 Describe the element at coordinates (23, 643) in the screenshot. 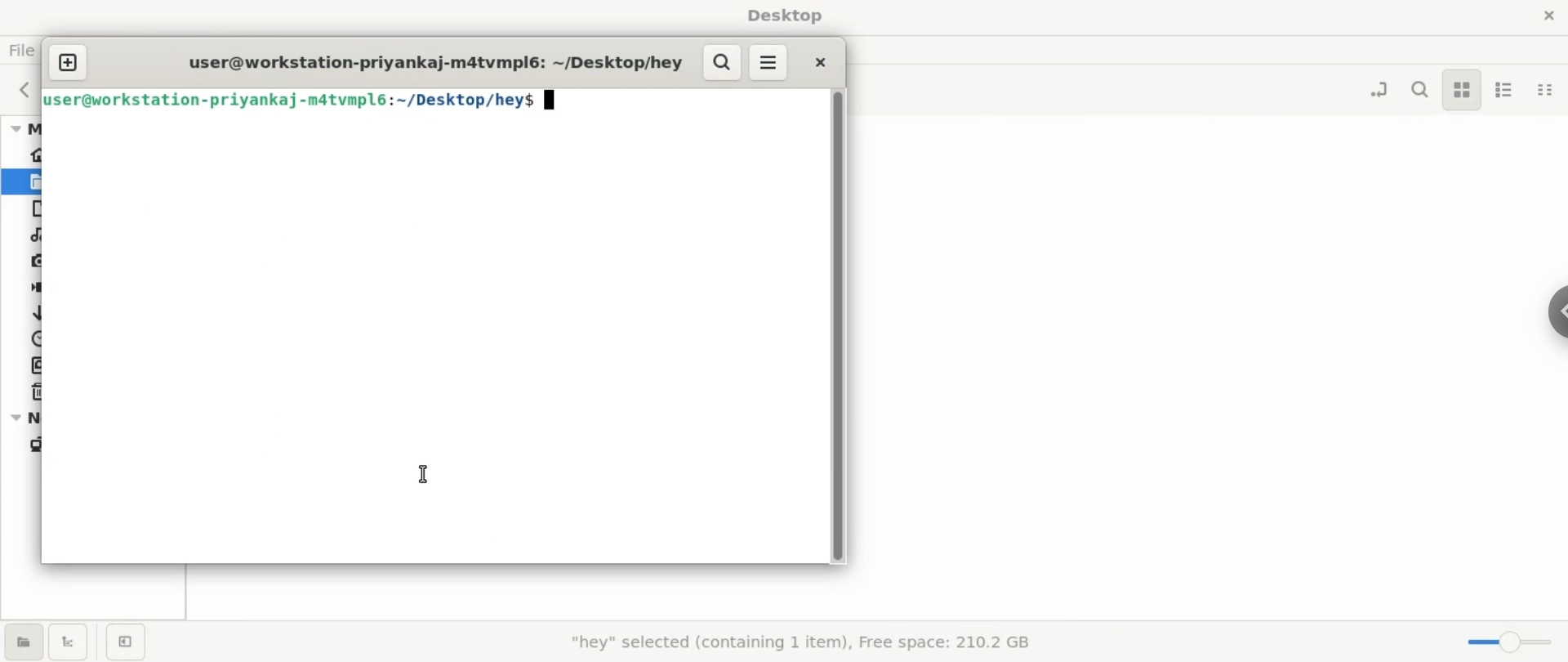

I see `show places` at that location.